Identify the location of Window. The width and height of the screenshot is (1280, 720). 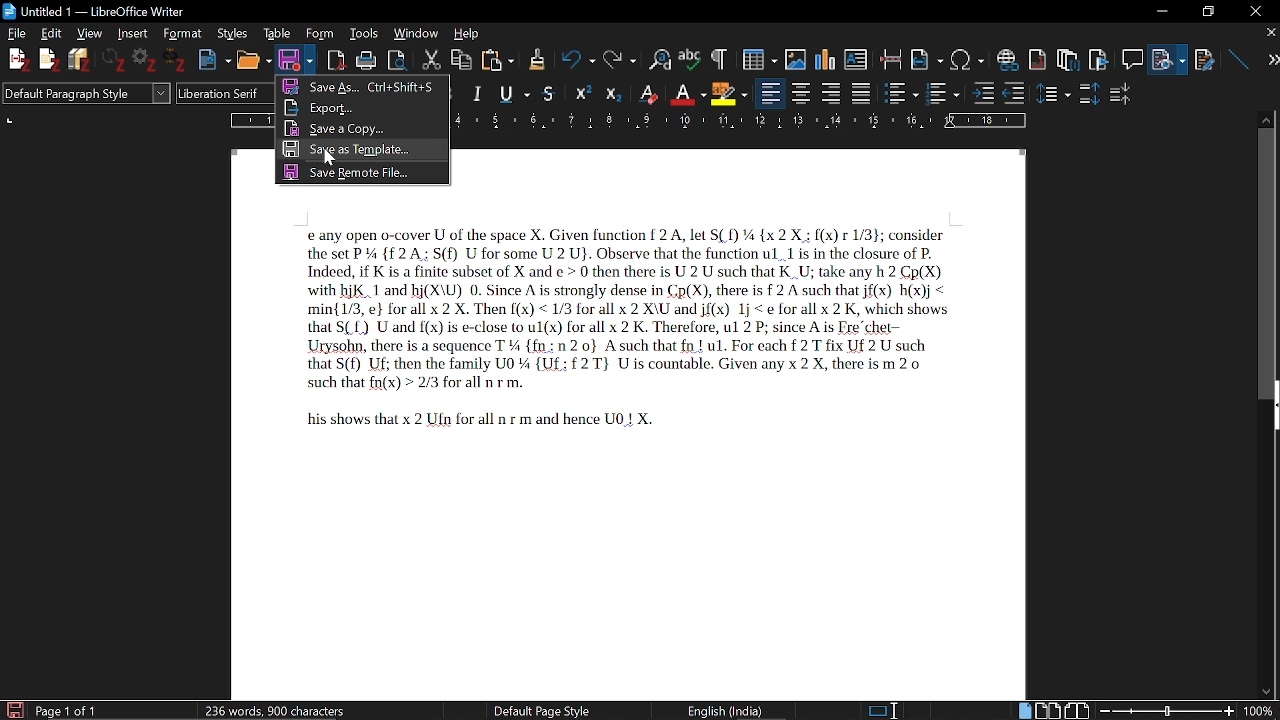
(416, 34).